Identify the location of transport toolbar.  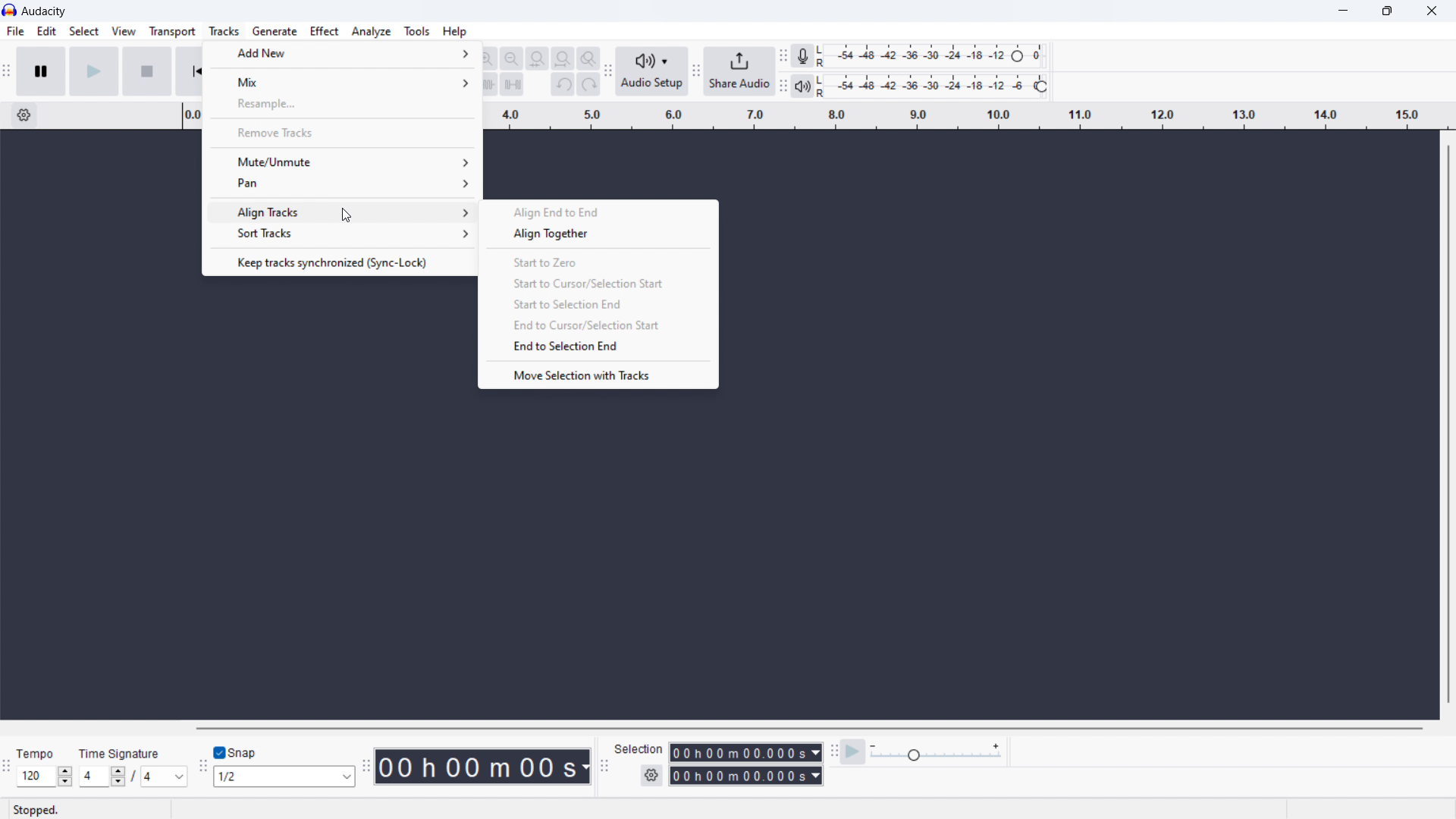
(8, 72).